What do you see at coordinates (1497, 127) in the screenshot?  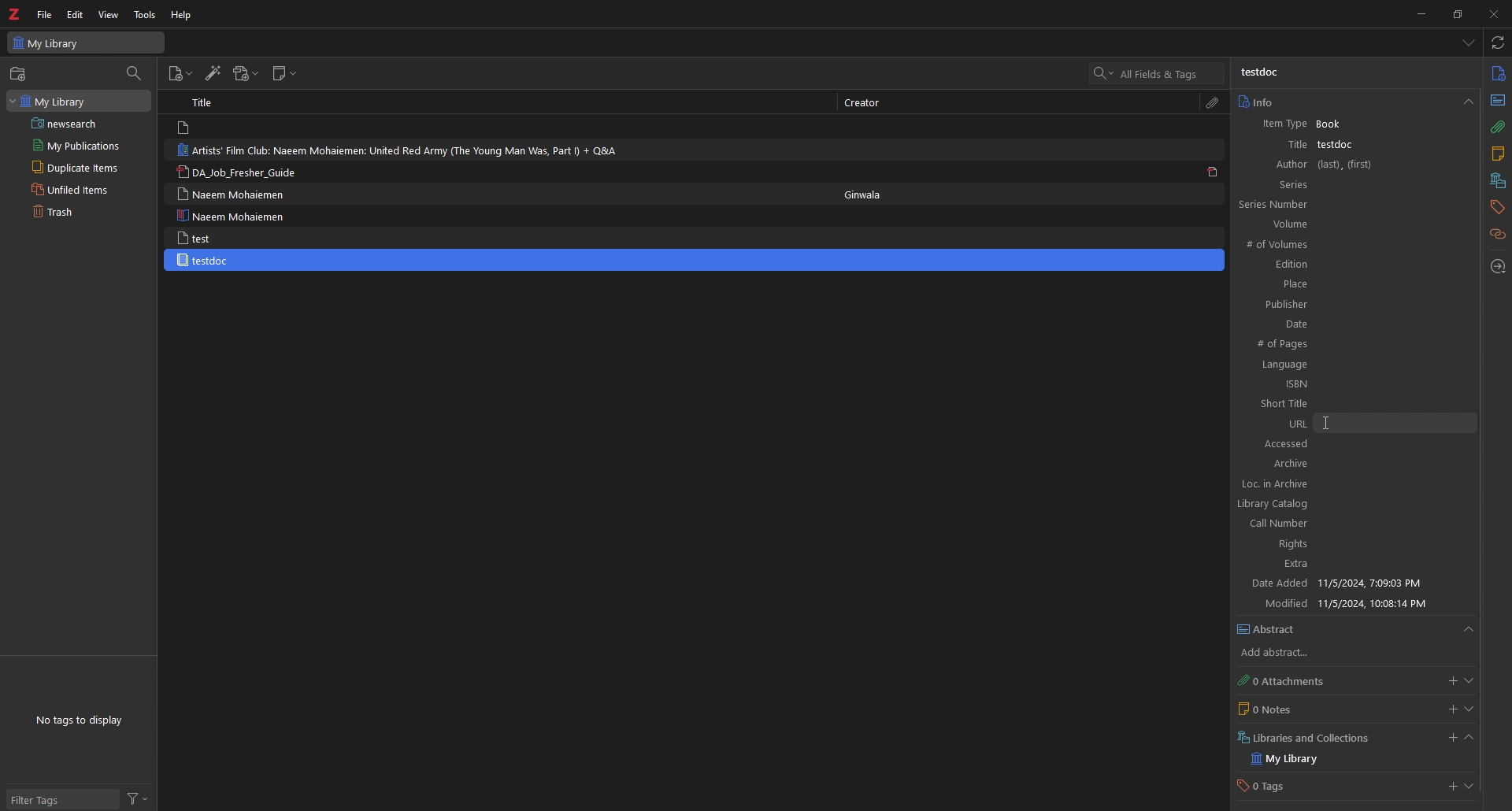 I see `attachment` at bounding box center [1497, 127].